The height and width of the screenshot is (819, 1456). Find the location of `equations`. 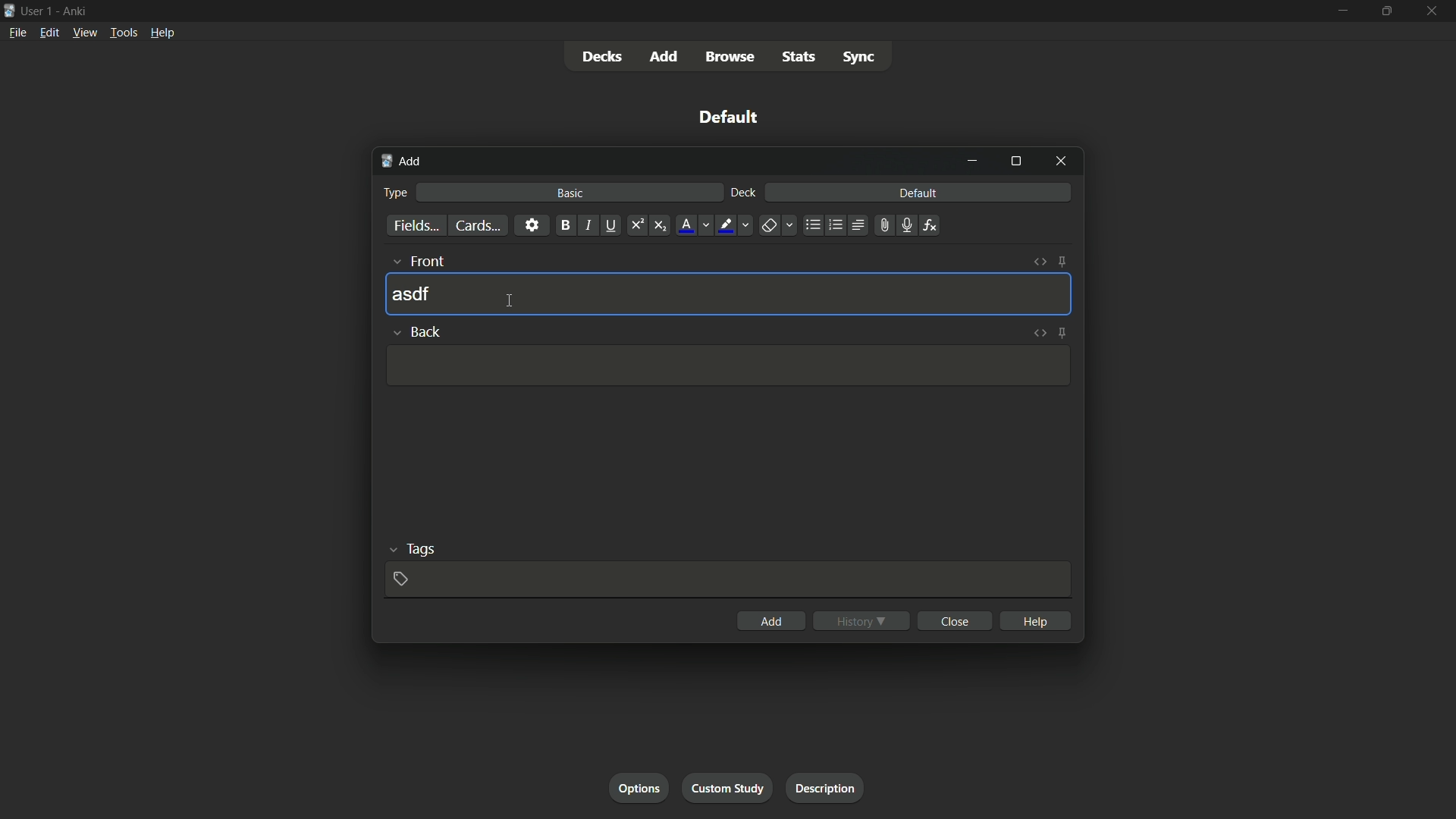

equations is located at coordinates (932, 225).